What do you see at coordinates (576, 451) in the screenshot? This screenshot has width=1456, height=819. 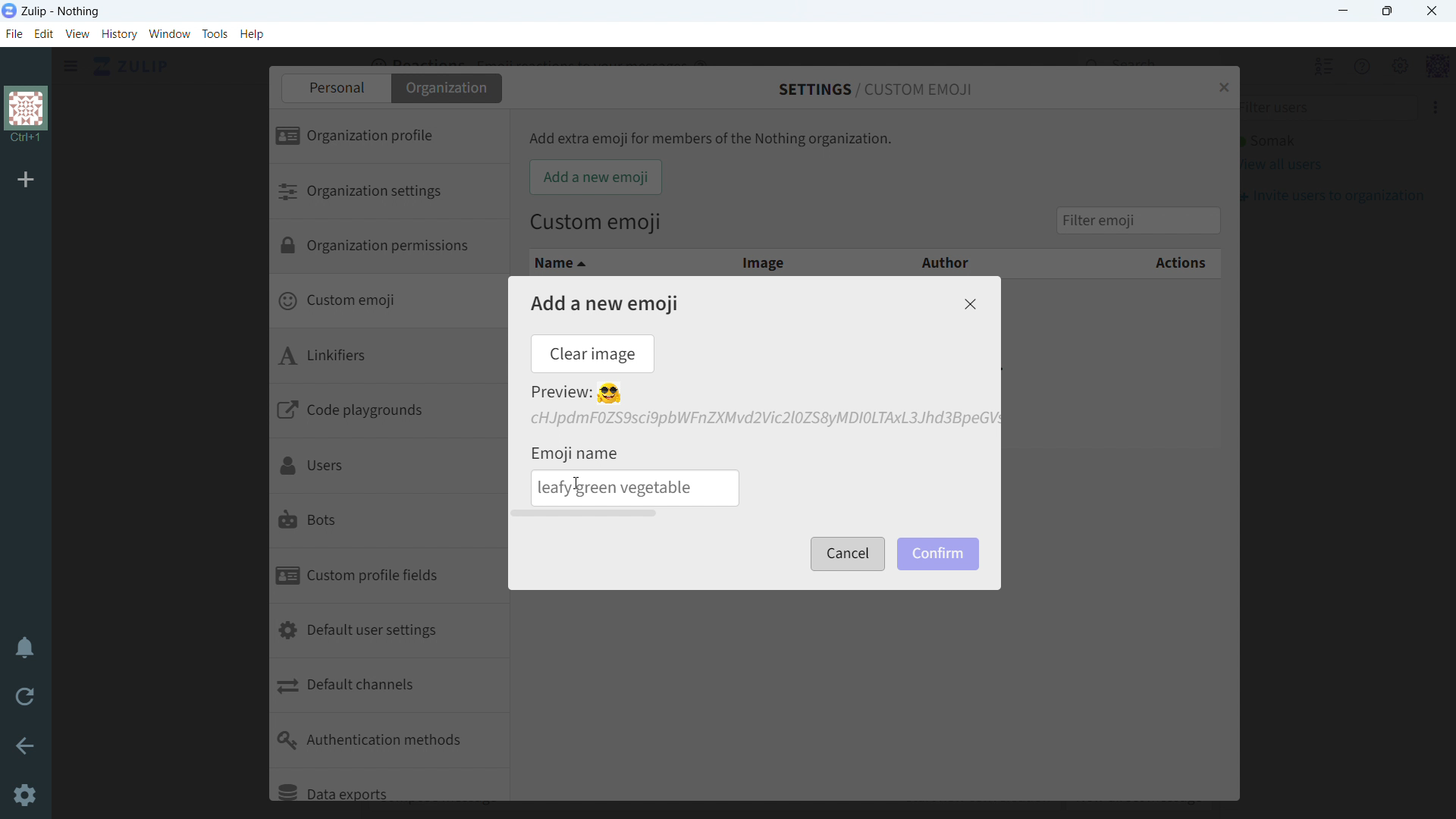 I see `emoji name` at bounding box center [576, 451].